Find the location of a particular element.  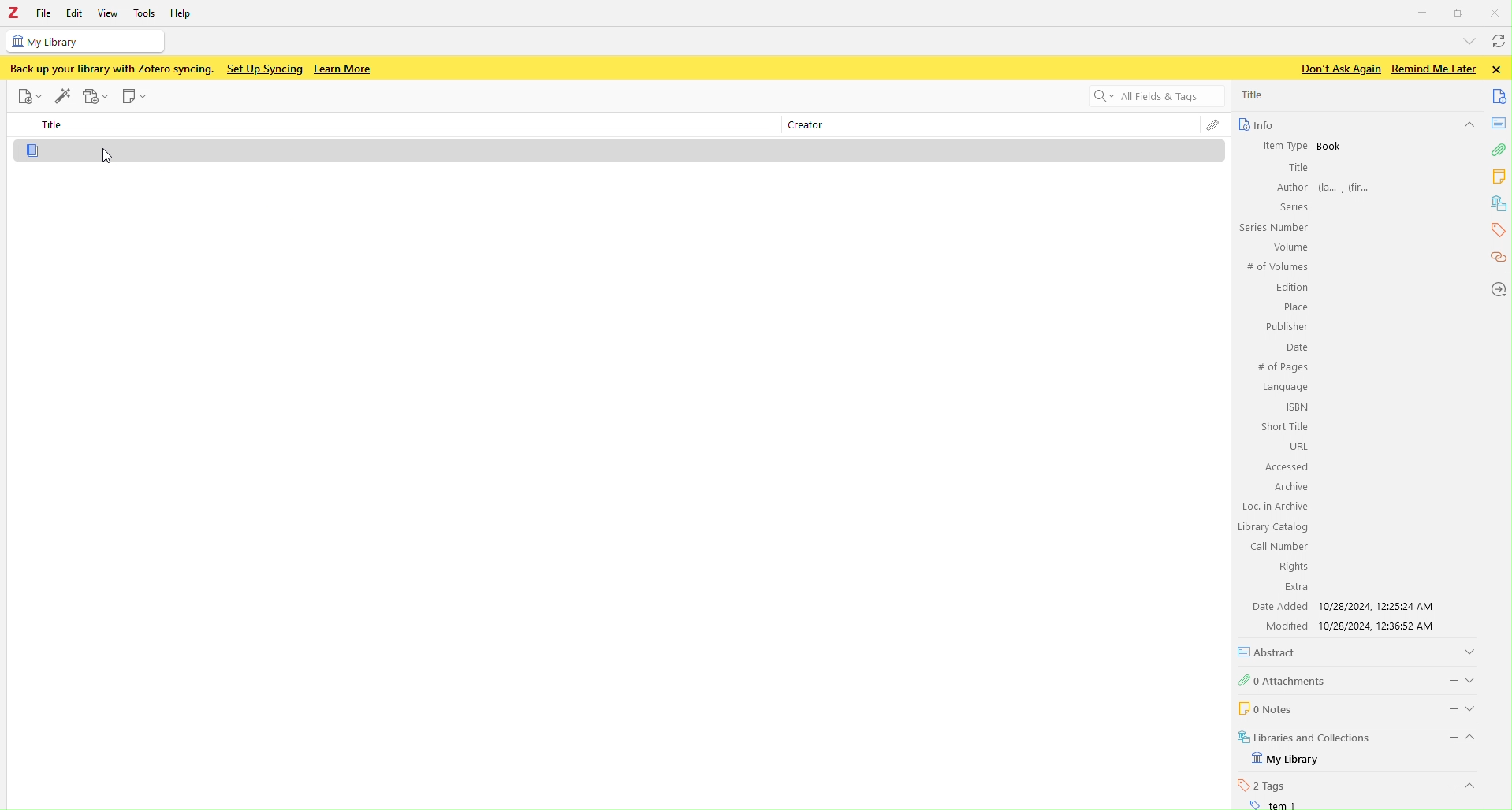

Date Added is located at coordinates (1278, 606).